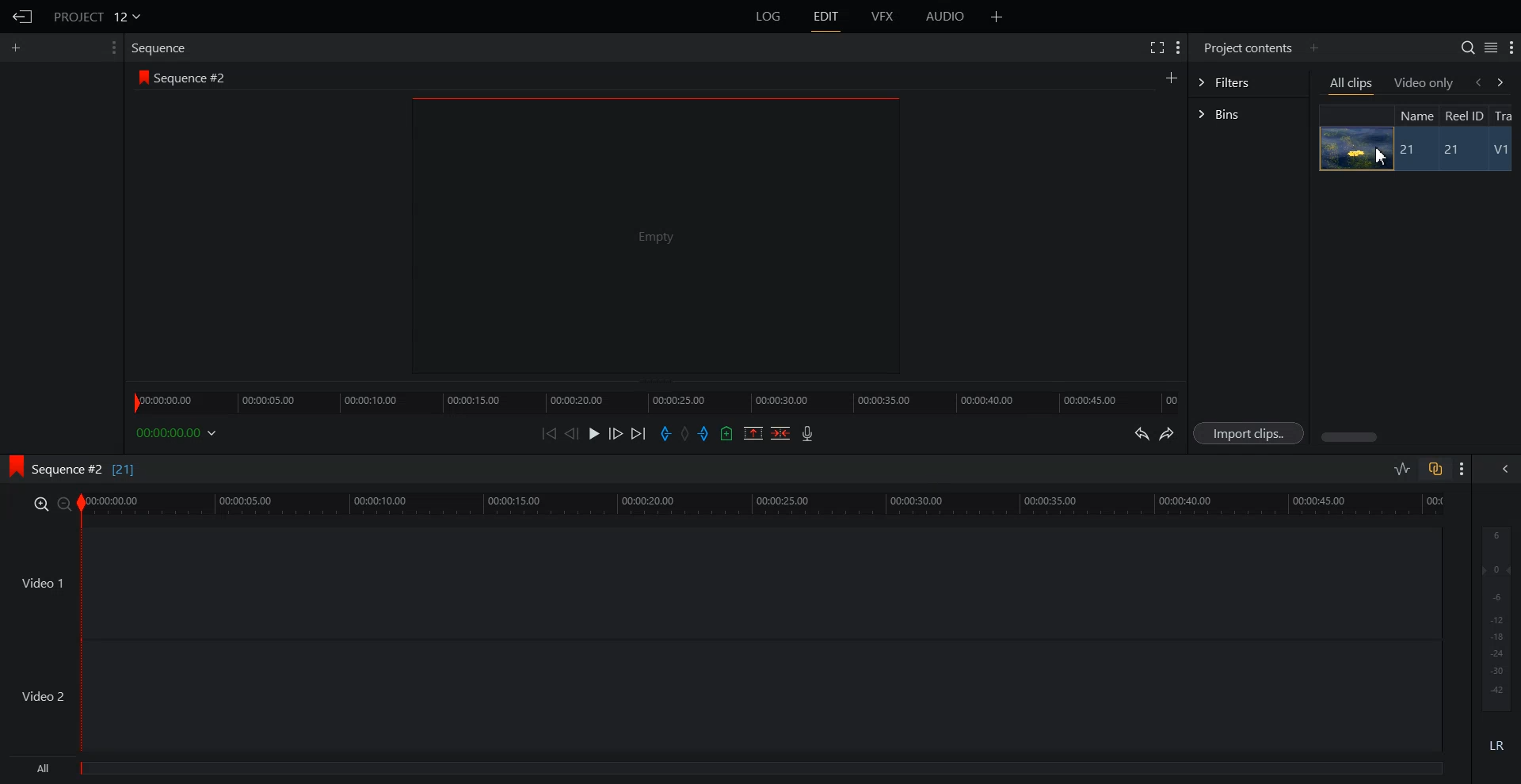 The width and height of the screenshot is (1521, 784). I want to click on Toggle auto Track sync, so click(1435, 469).